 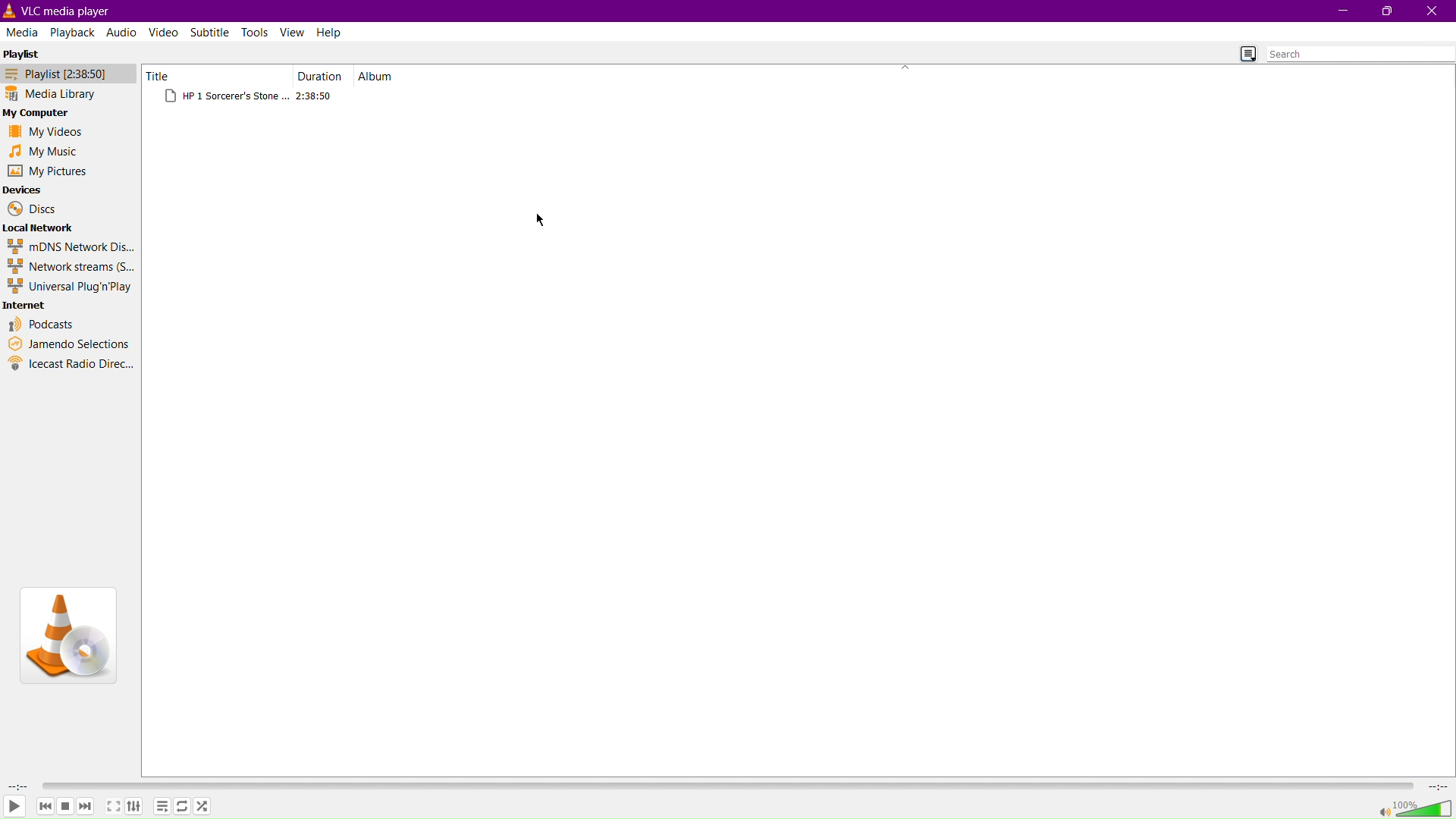 What do you see at coordinates (257, 32) in the screenshot?
I see `Tools` at bounding box center [257, 32].